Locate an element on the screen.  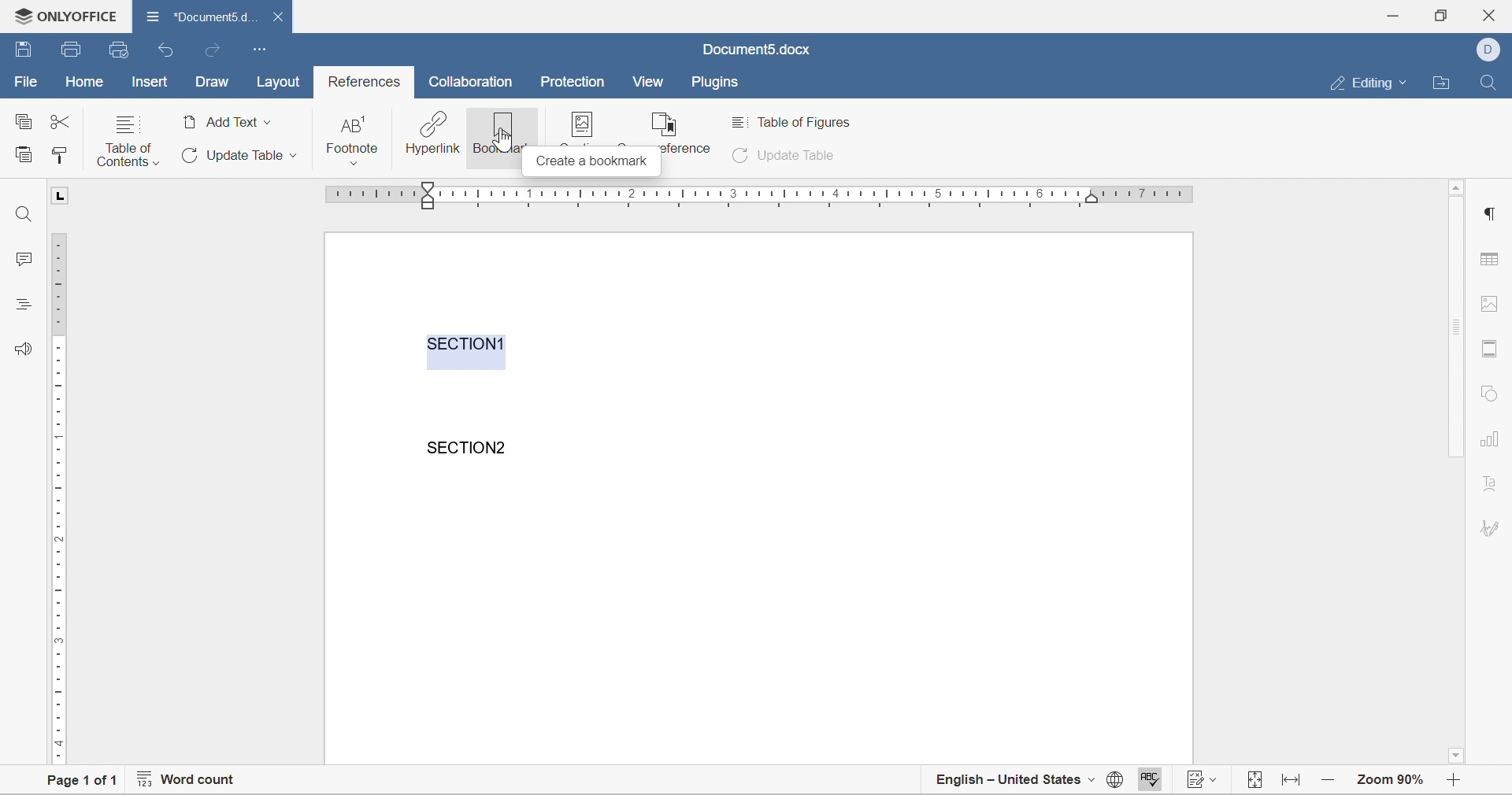
fit page is located at coordinates (1256, 781).